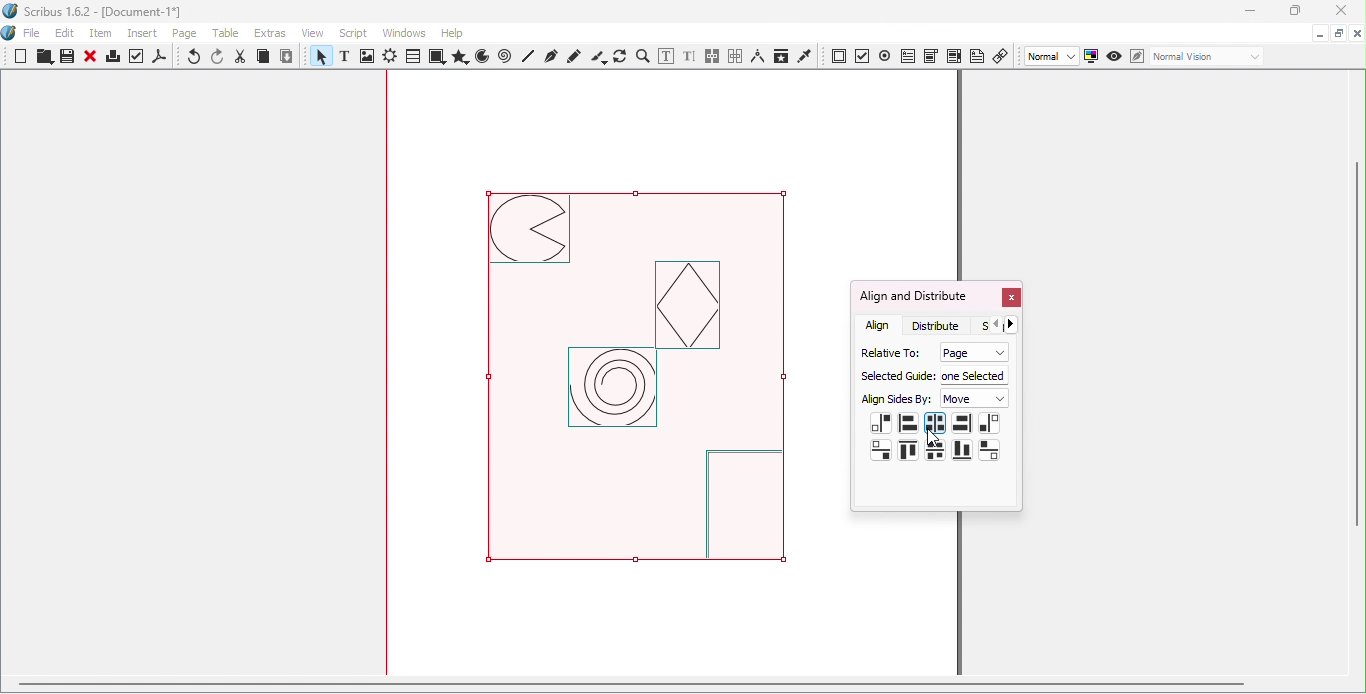 This screenshot has height=694, width=1366. I want to click on Distribute, so click(941, 325).